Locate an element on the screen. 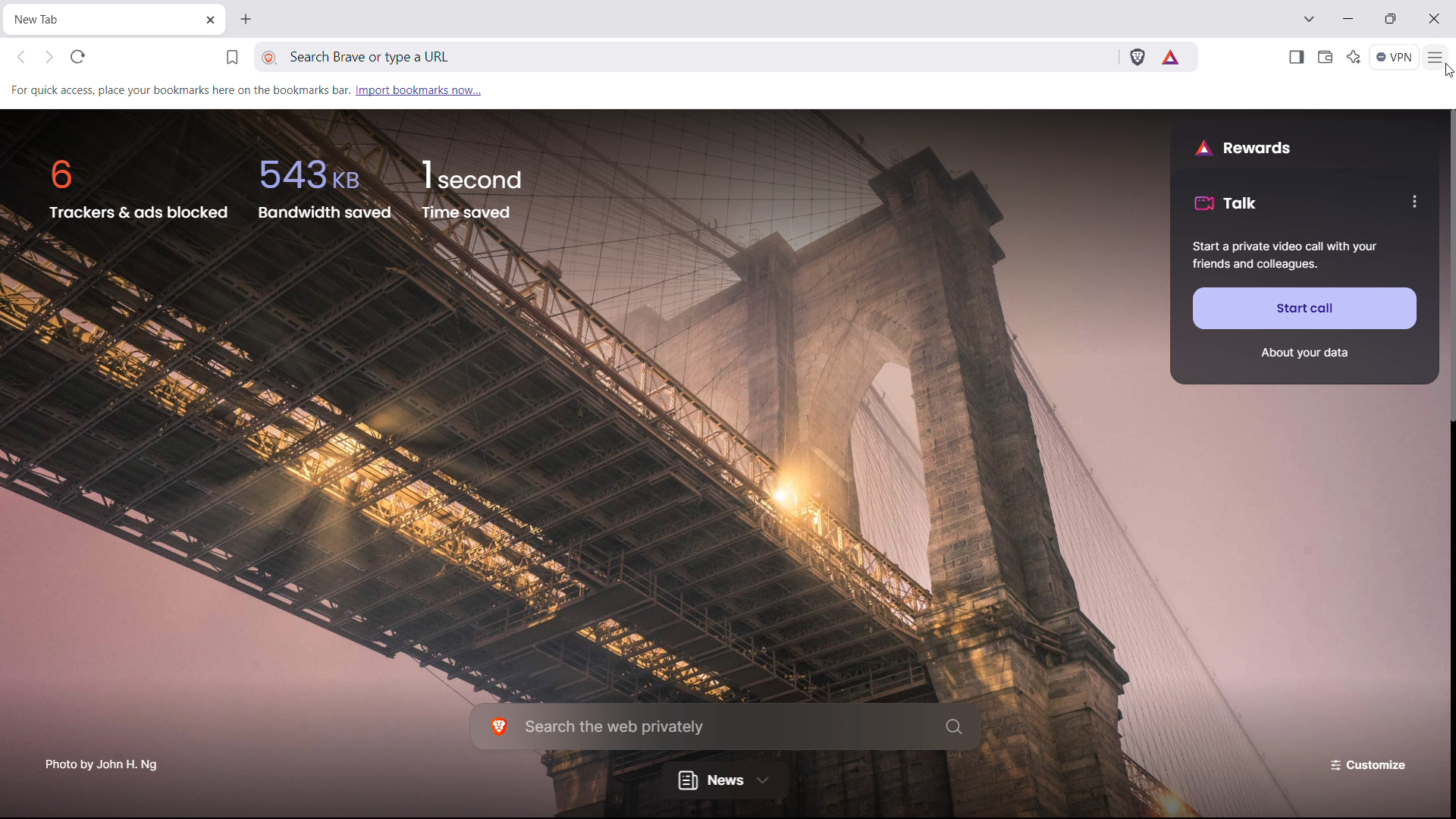  bookmark this tab is located at coordinates (232, 58).